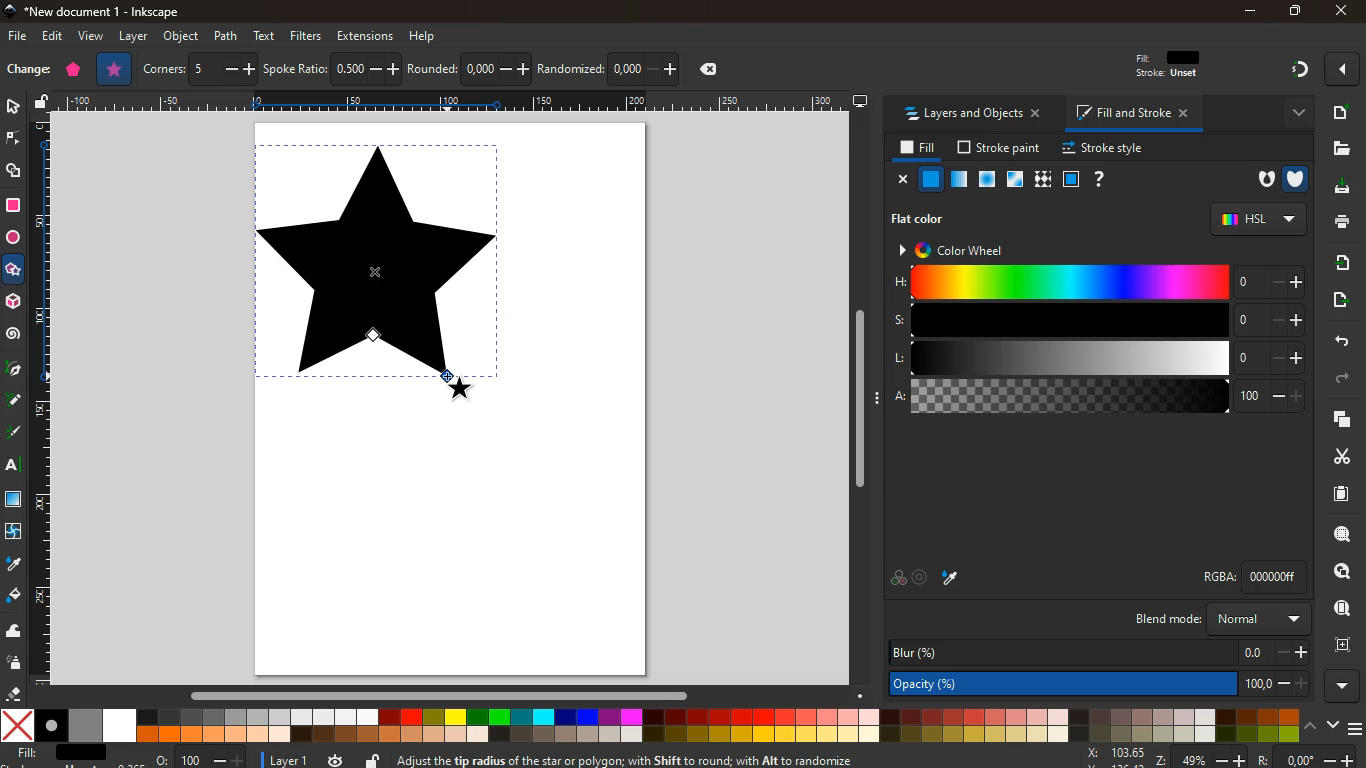 The image size is (1366, 768). What do you see at coordinates (896, 576) in the screenshot?
I see `color palette` at bounding box center [896, 576].